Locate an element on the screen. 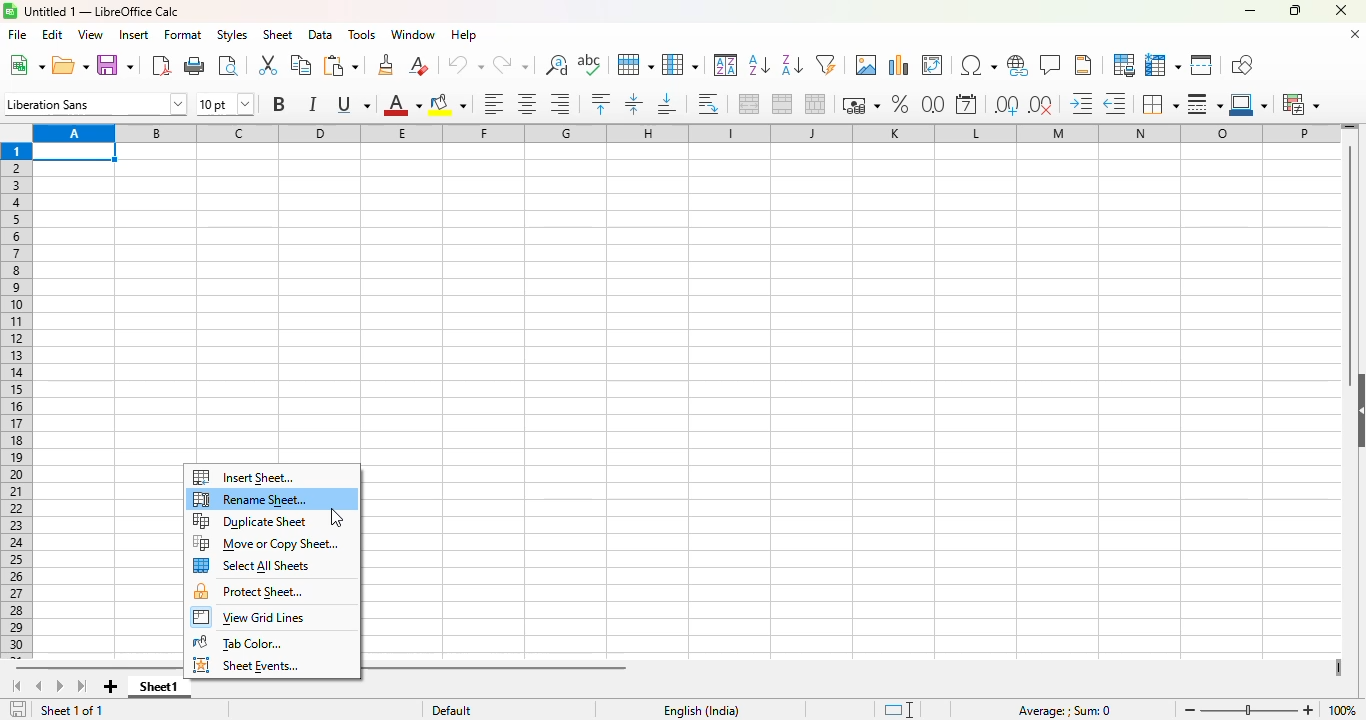 The image size is (1366, 720). help is located at coordinates (464, 35).